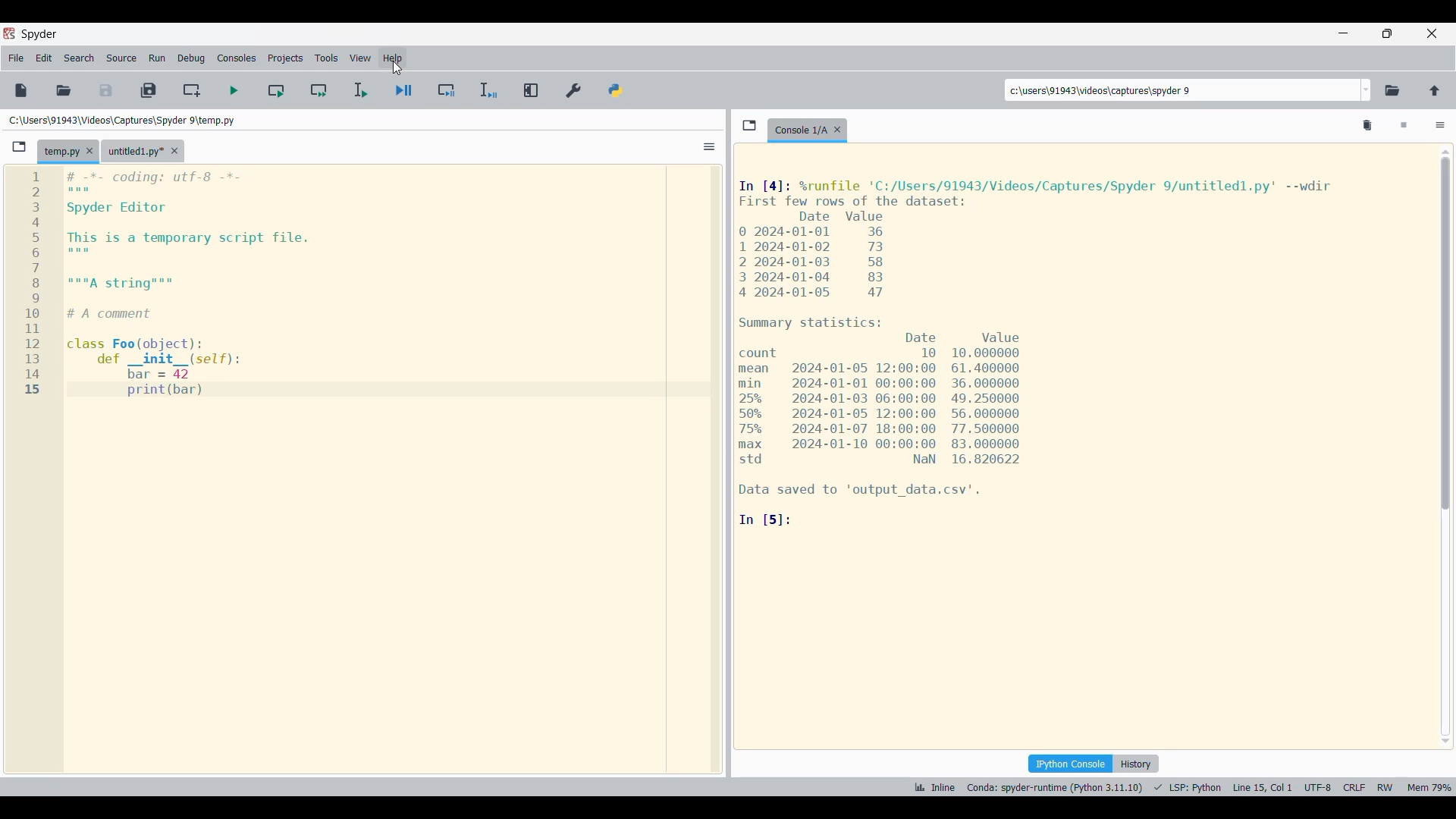 The image size is (1456, 819). What do you see at coordinates (326, 58) in the screenshot?
I see `Tools menu` at bounding box center [326, 58].